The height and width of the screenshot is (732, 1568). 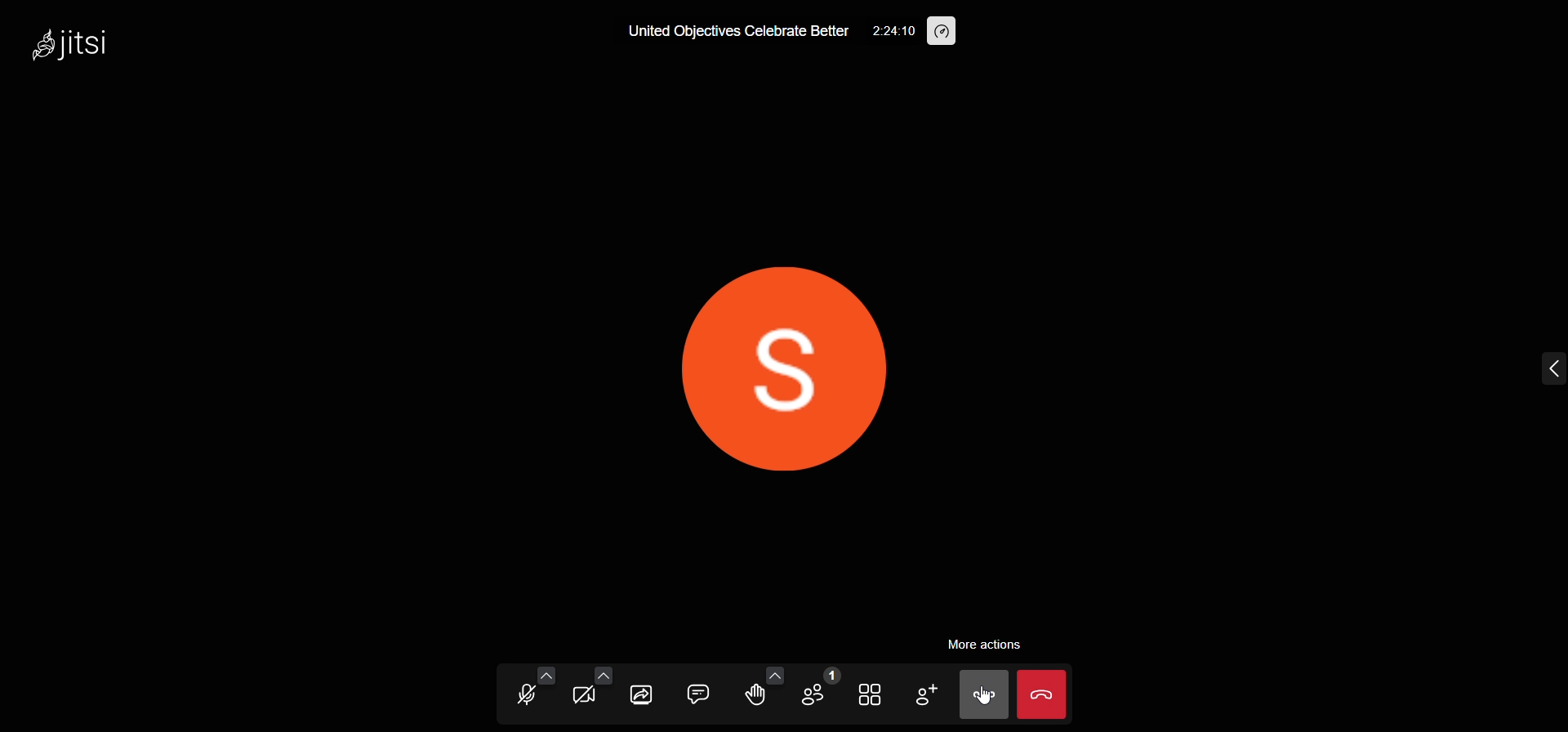 I want to click on more audio options, so click(x=545, y=673).